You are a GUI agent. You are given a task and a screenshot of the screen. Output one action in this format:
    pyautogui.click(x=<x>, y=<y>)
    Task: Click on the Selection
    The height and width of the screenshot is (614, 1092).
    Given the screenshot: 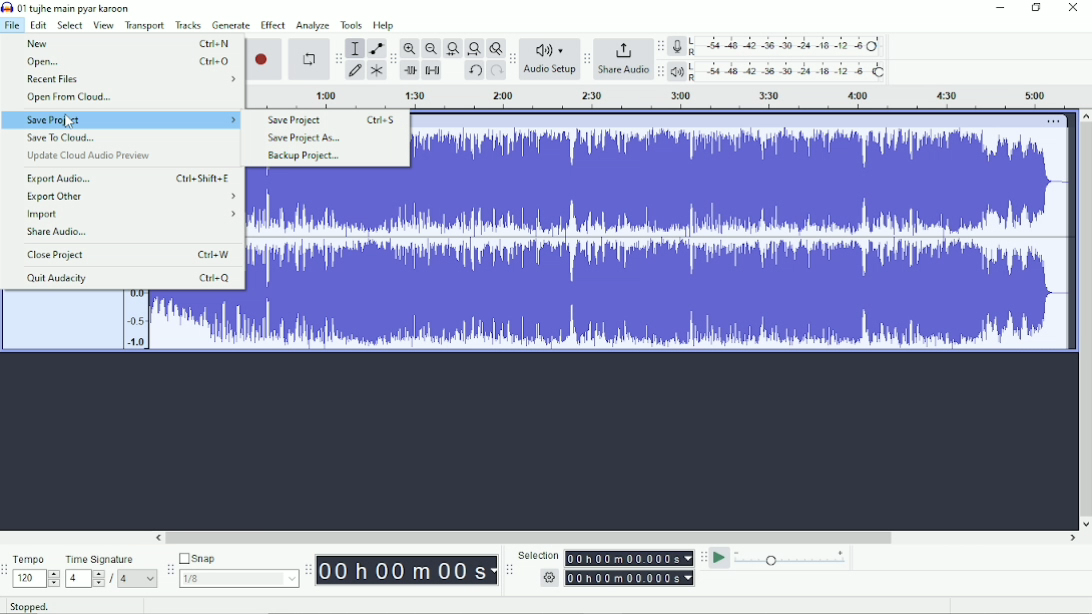 What is the action you would take?
    pyautogui.click(x=607, y=566)
    